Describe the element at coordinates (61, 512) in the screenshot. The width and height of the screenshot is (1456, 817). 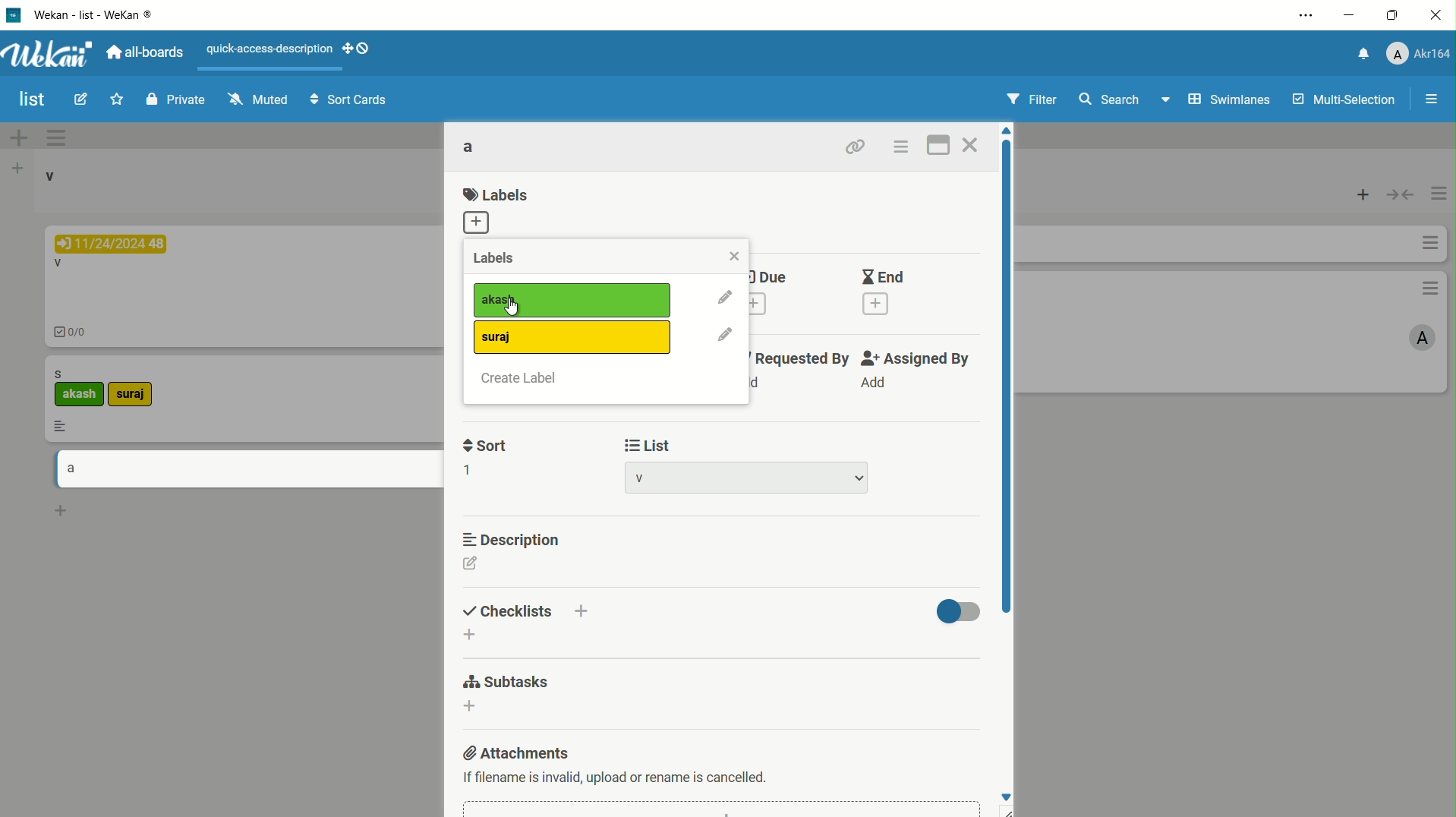
I see `add` at that location.